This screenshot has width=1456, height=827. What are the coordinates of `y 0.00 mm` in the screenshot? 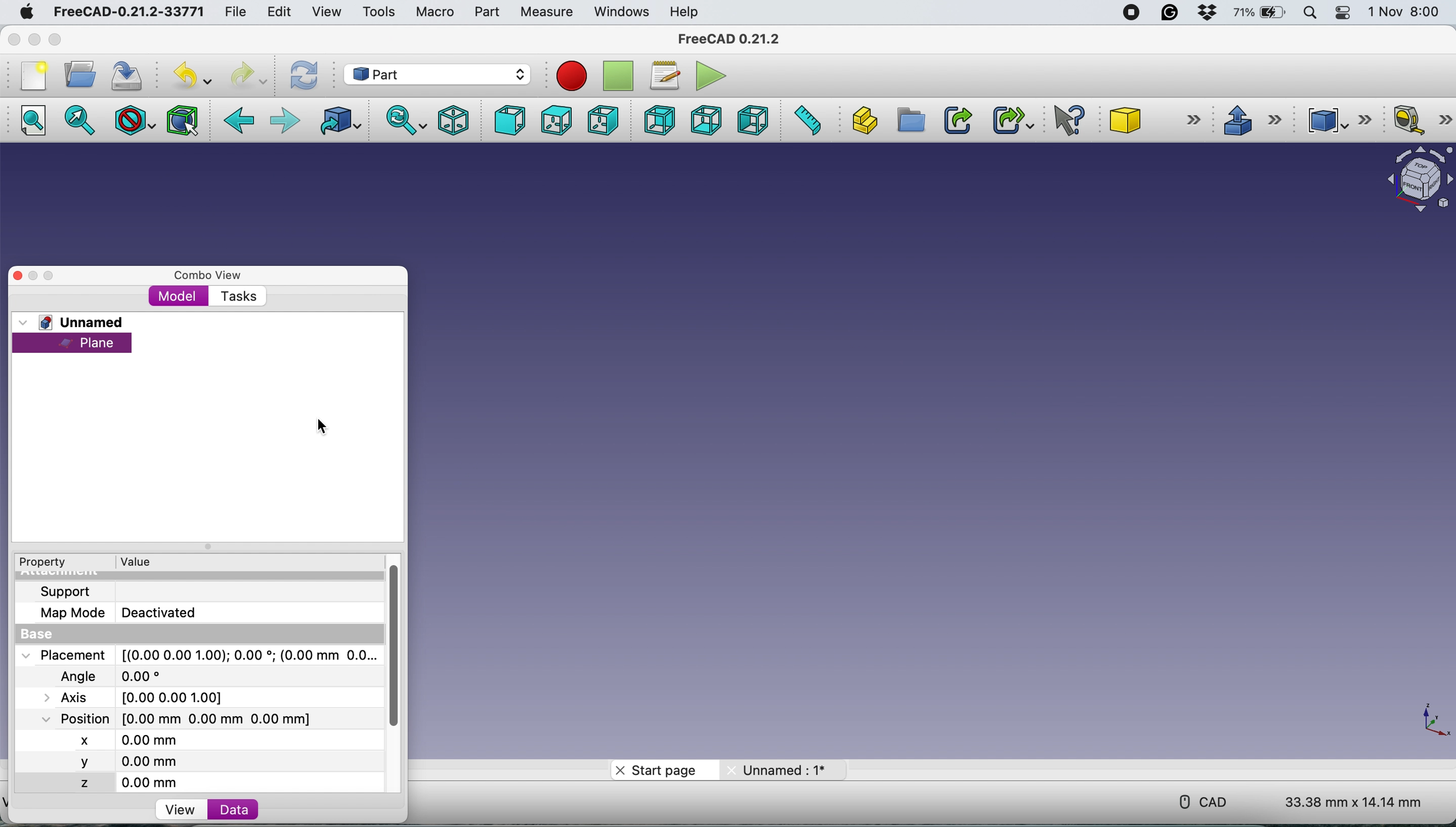 It's located at (125, 763).